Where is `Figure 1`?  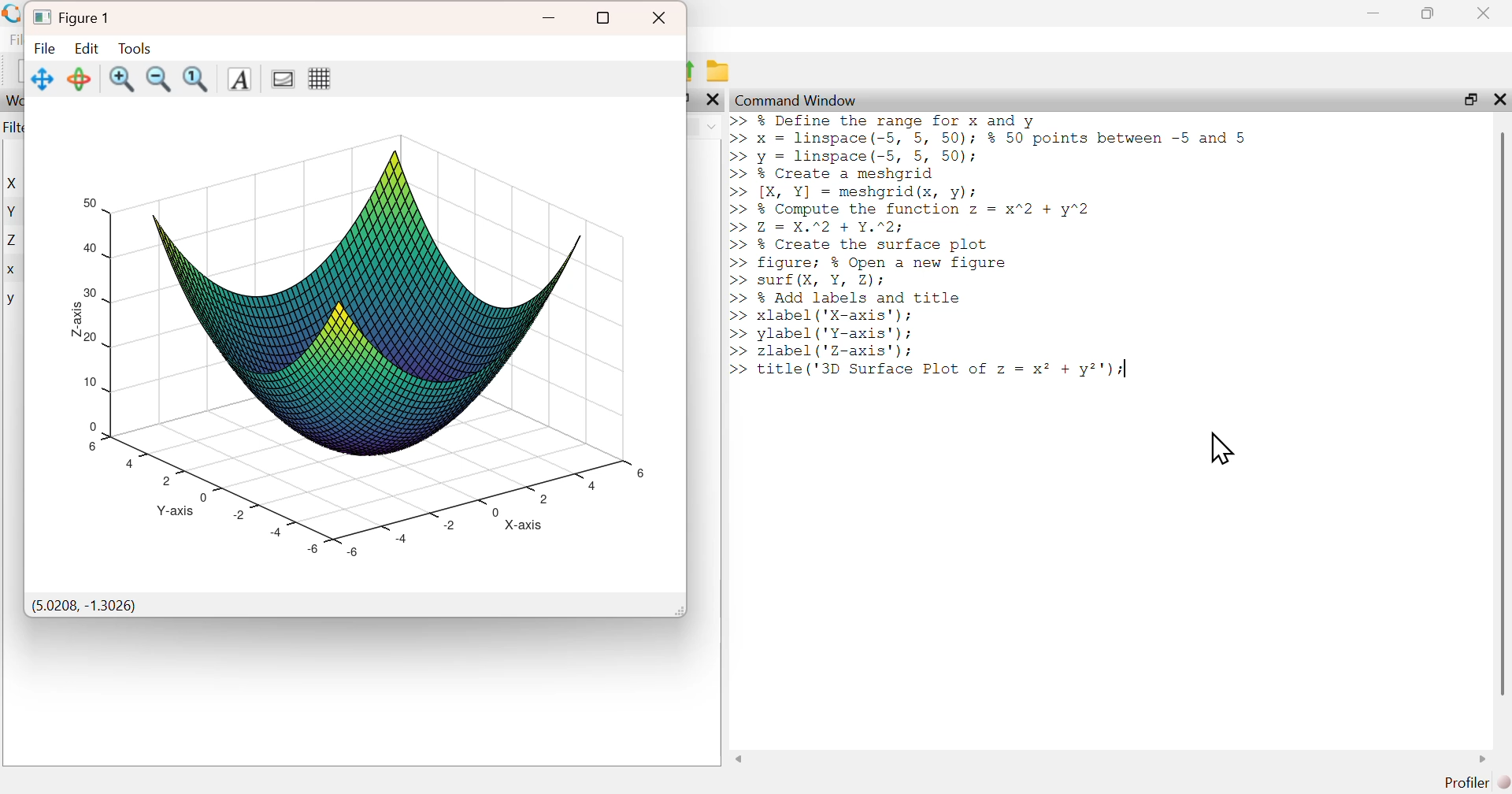 Figure 1 is located at coordinates (74, 16).